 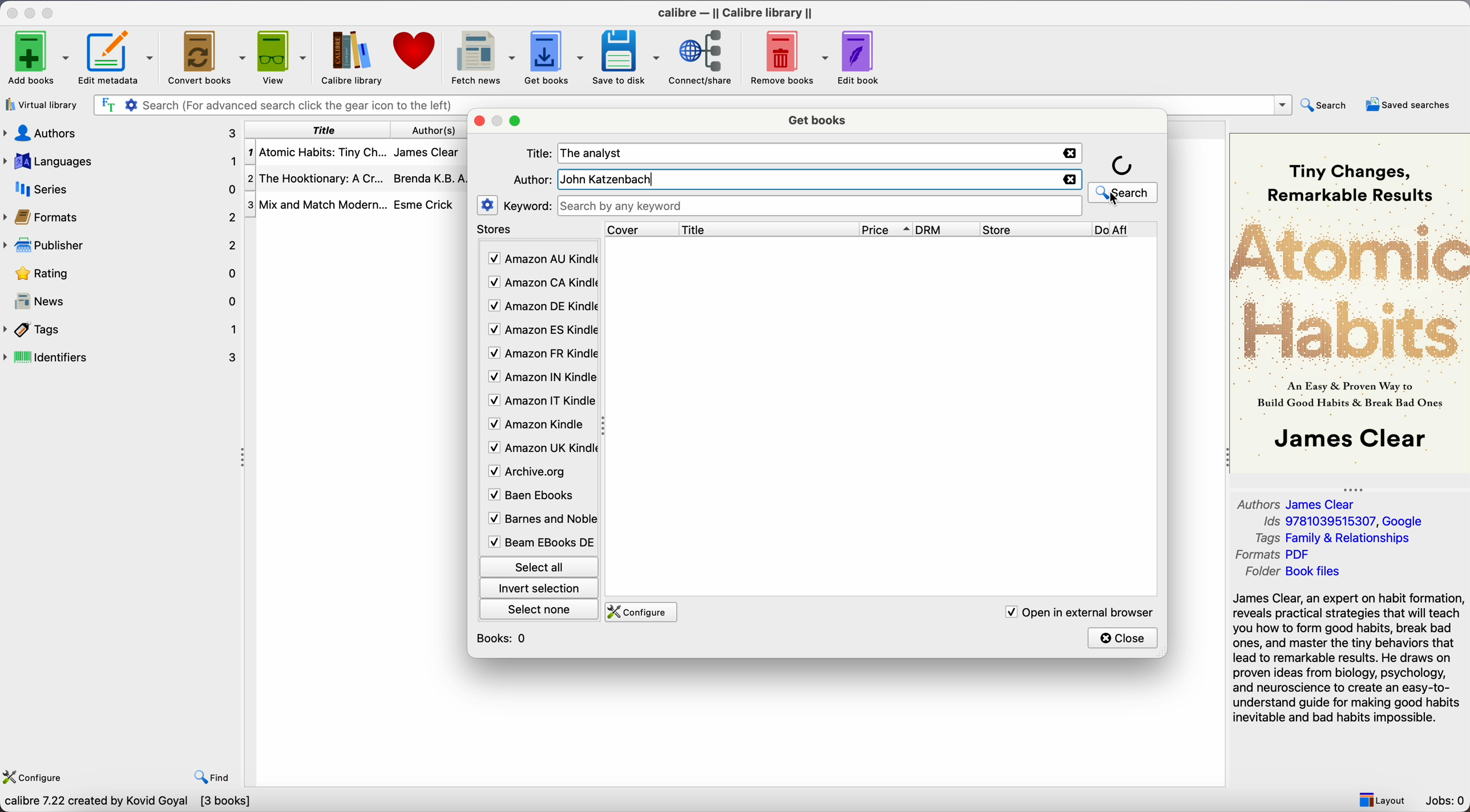 I want to click on select none, so click(x=540, y=612).